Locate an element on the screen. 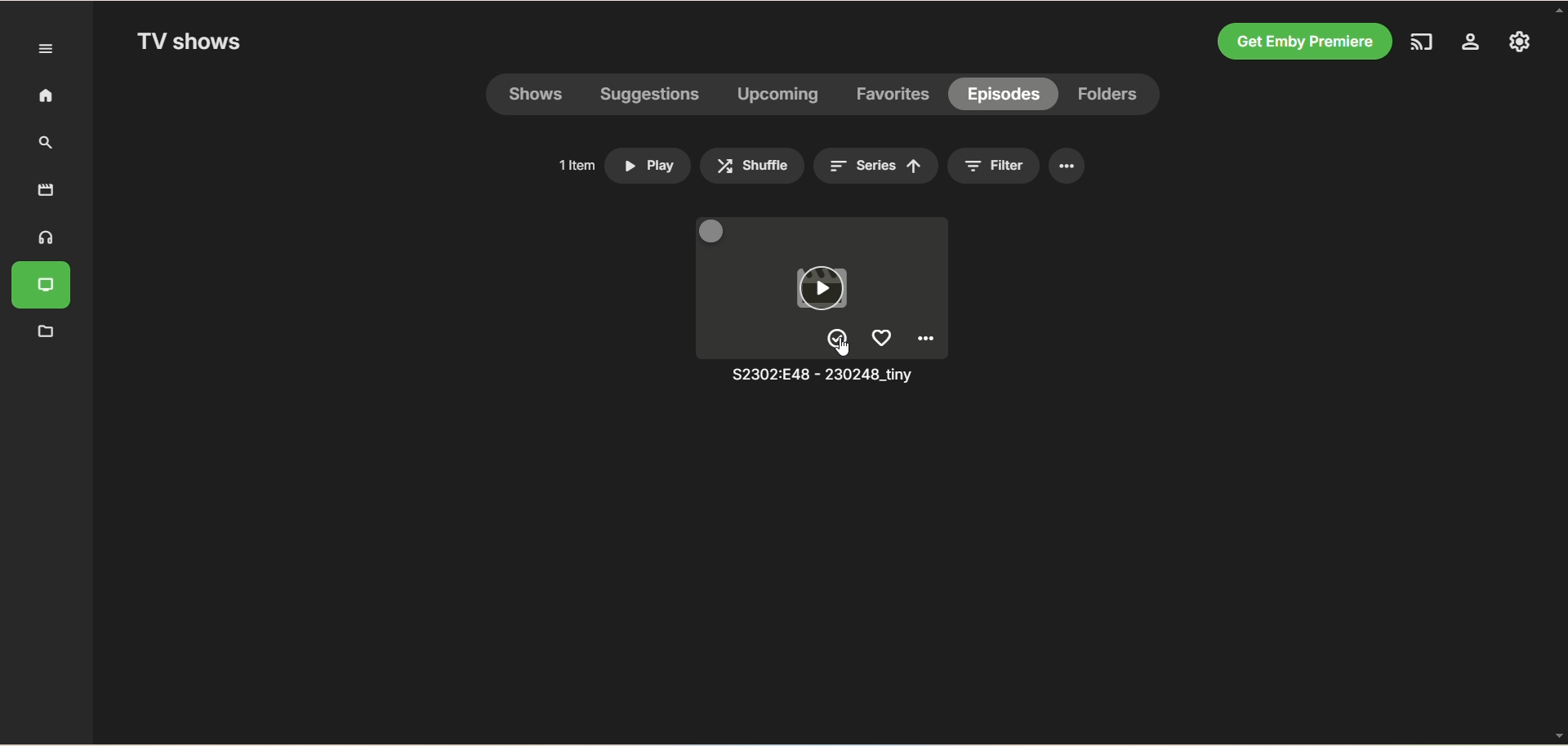 This screenshot has width=1568, height=746. 1 items is located at coordinates (572, 165).